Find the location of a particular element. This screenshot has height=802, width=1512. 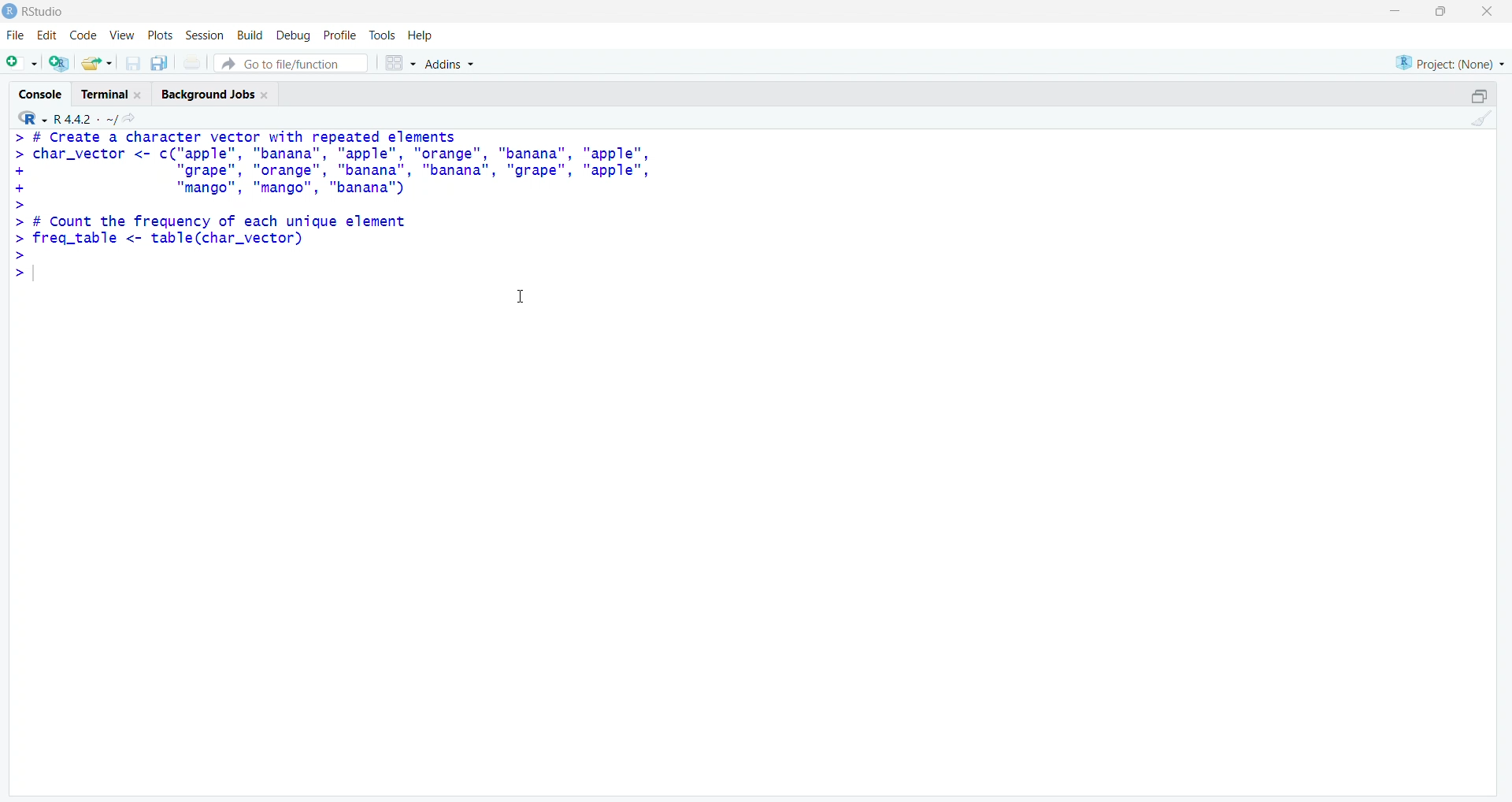

View is located at coordinates (124, 35).